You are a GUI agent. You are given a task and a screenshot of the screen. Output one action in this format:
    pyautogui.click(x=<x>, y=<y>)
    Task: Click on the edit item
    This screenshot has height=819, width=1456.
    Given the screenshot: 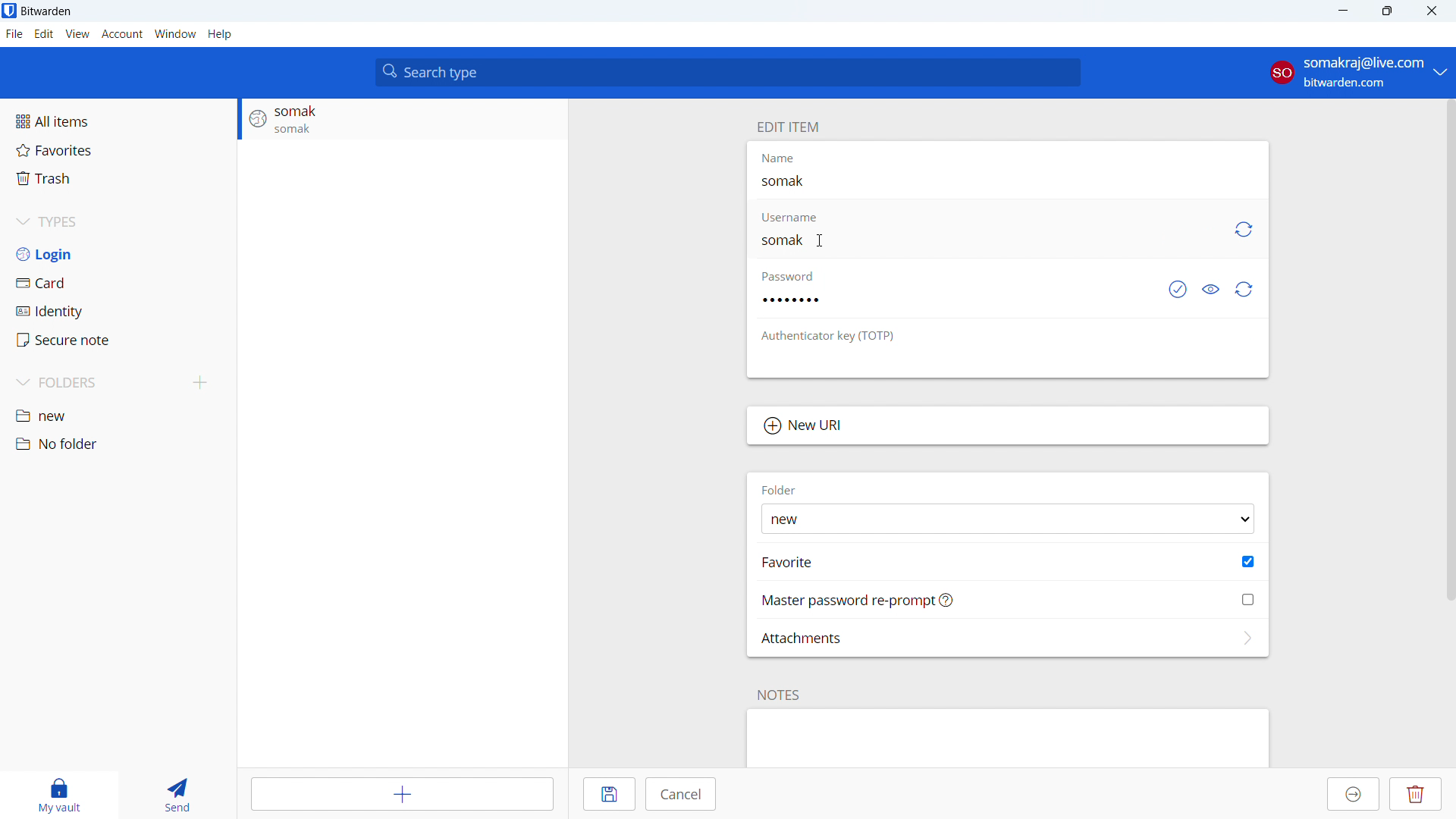 What is the action you would take?
    pyautogui.click(x=788, y=127)
    